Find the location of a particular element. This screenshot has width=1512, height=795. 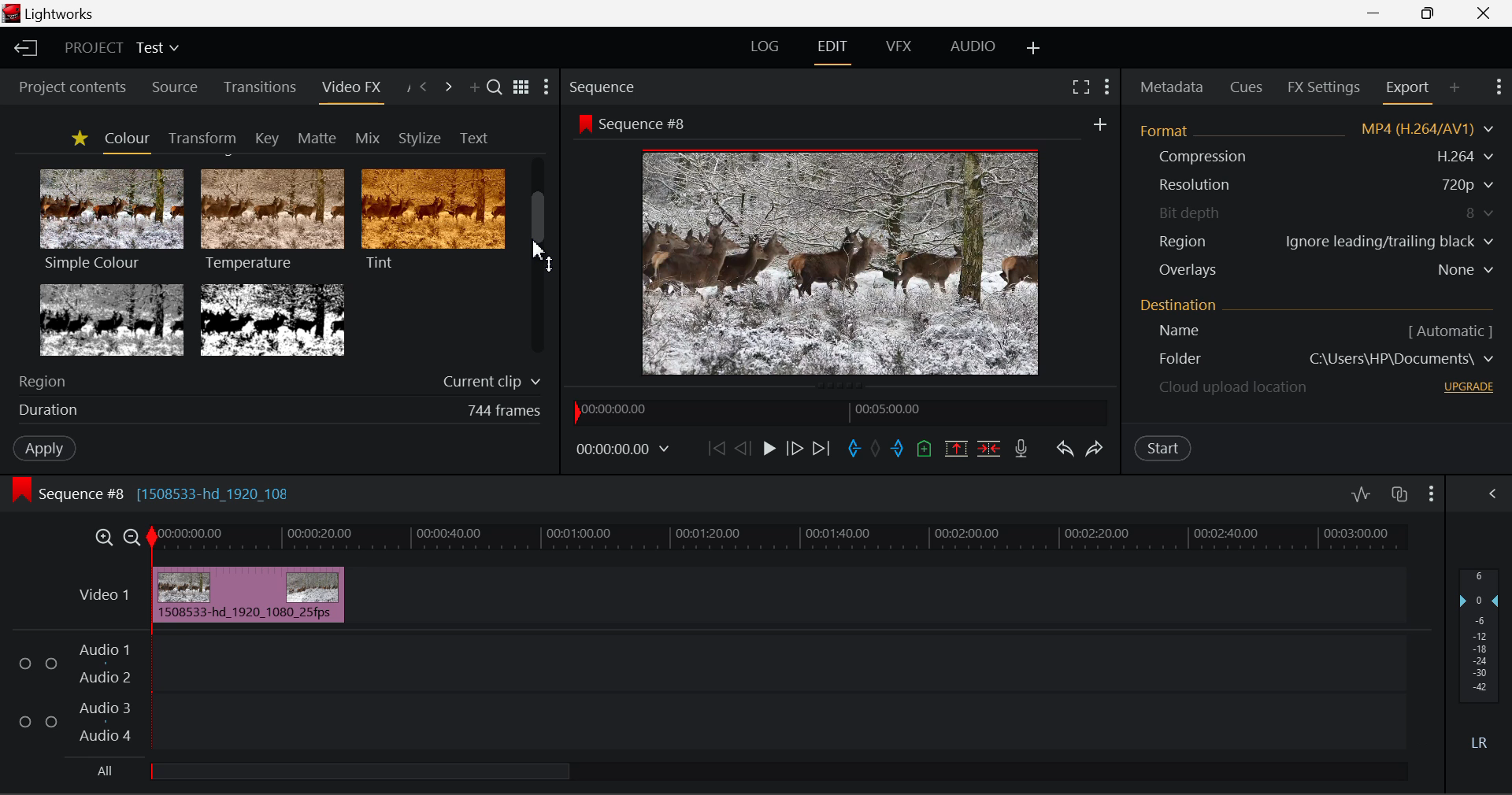

All is located at coordinates (106, 770).